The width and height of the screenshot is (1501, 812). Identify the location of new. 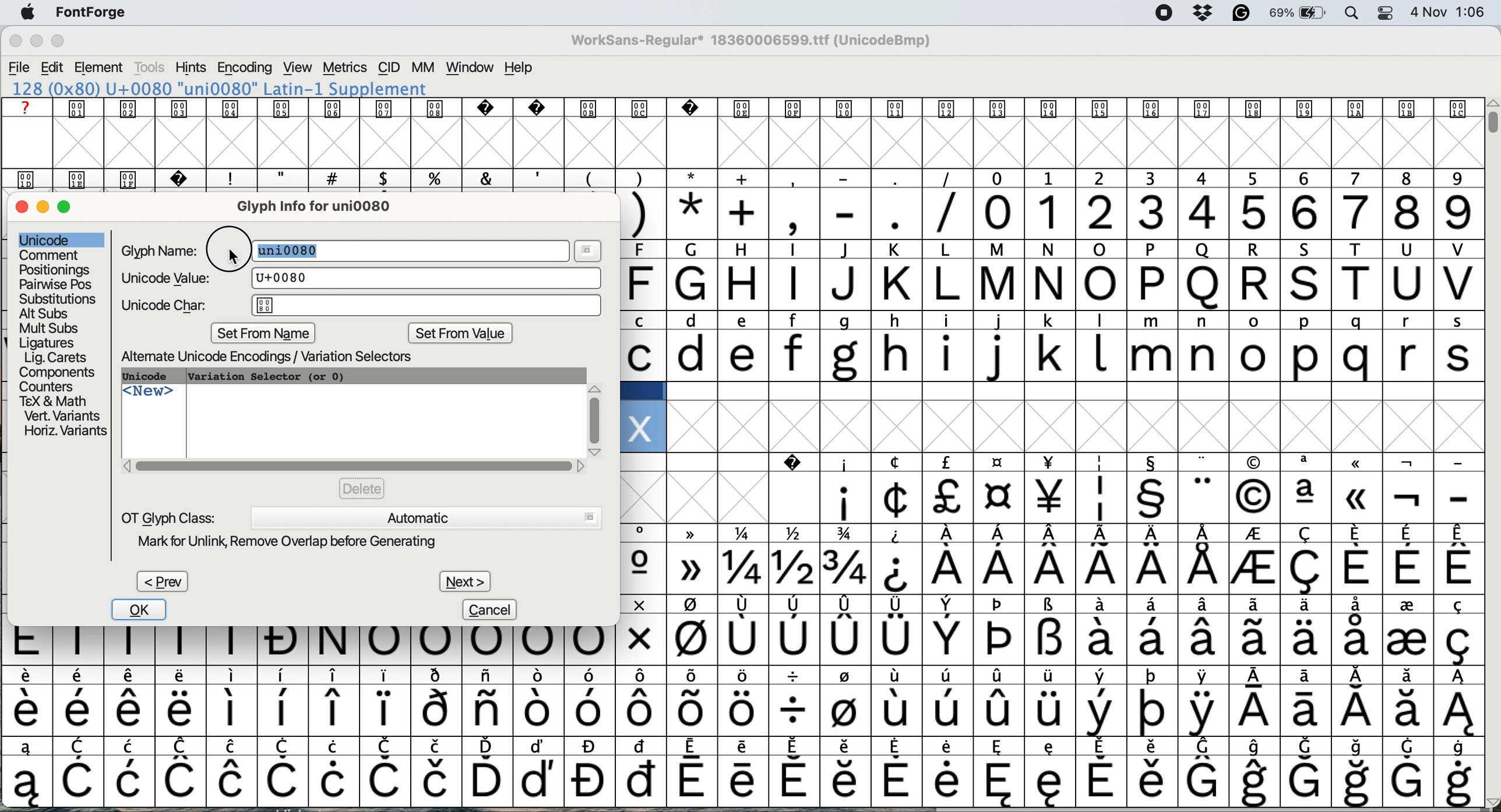
(149, 395).